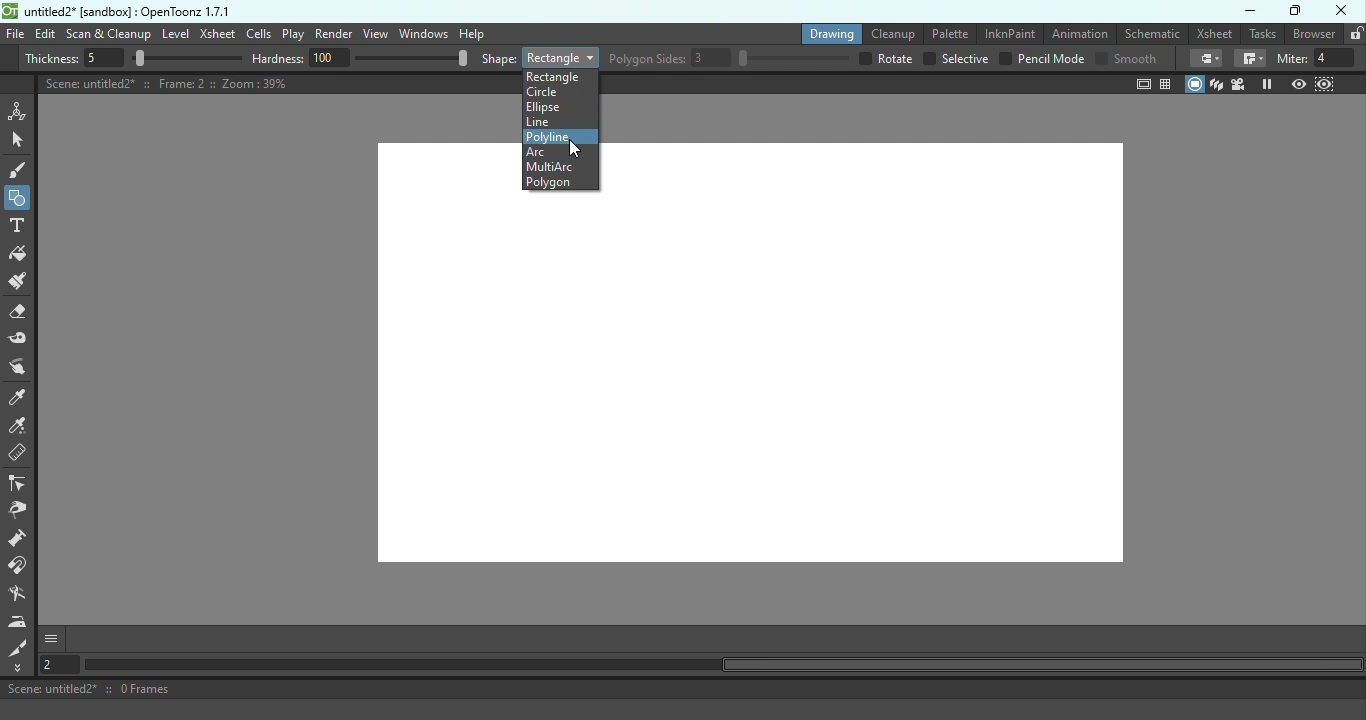 The image size is (1366, 720). What do you see at coordinates (1241, 84) in the screenshot?
I see `Camera view` at bounding box center [1241, 84].